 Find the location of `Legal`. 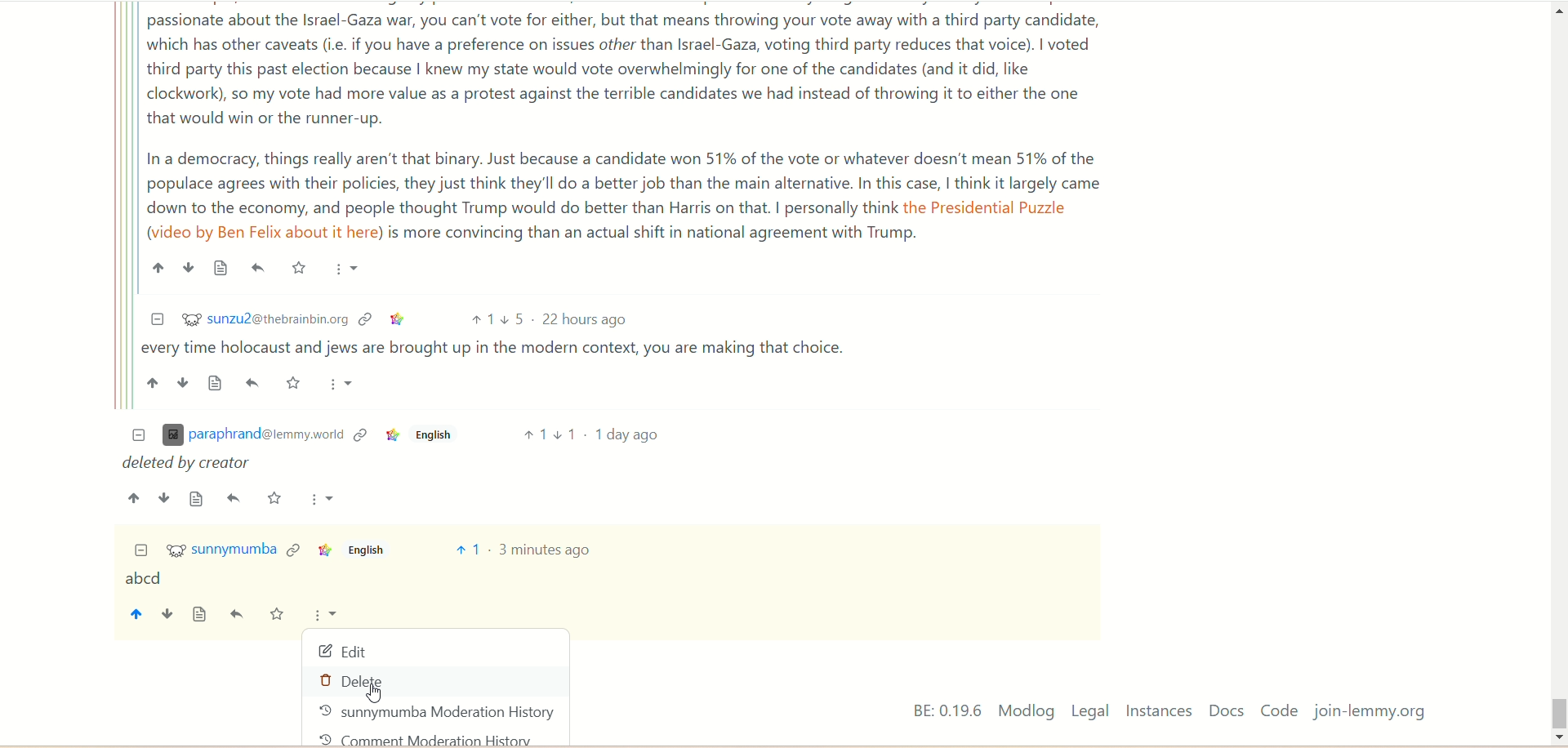

Legal is located at coordinates (1090, 710).